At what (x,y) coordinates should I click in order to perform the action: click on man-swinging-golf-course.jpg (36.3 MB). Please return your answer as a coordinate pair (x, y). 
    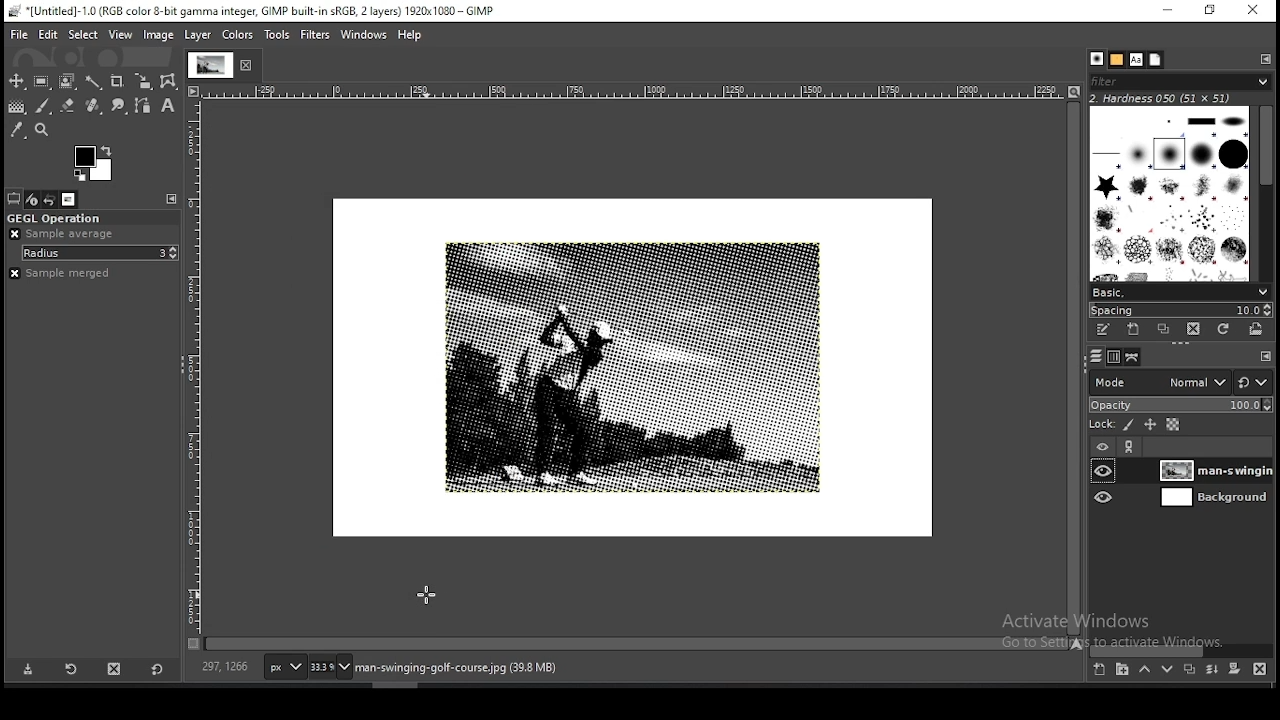
    Looking at the image, I should click on (454, 668).